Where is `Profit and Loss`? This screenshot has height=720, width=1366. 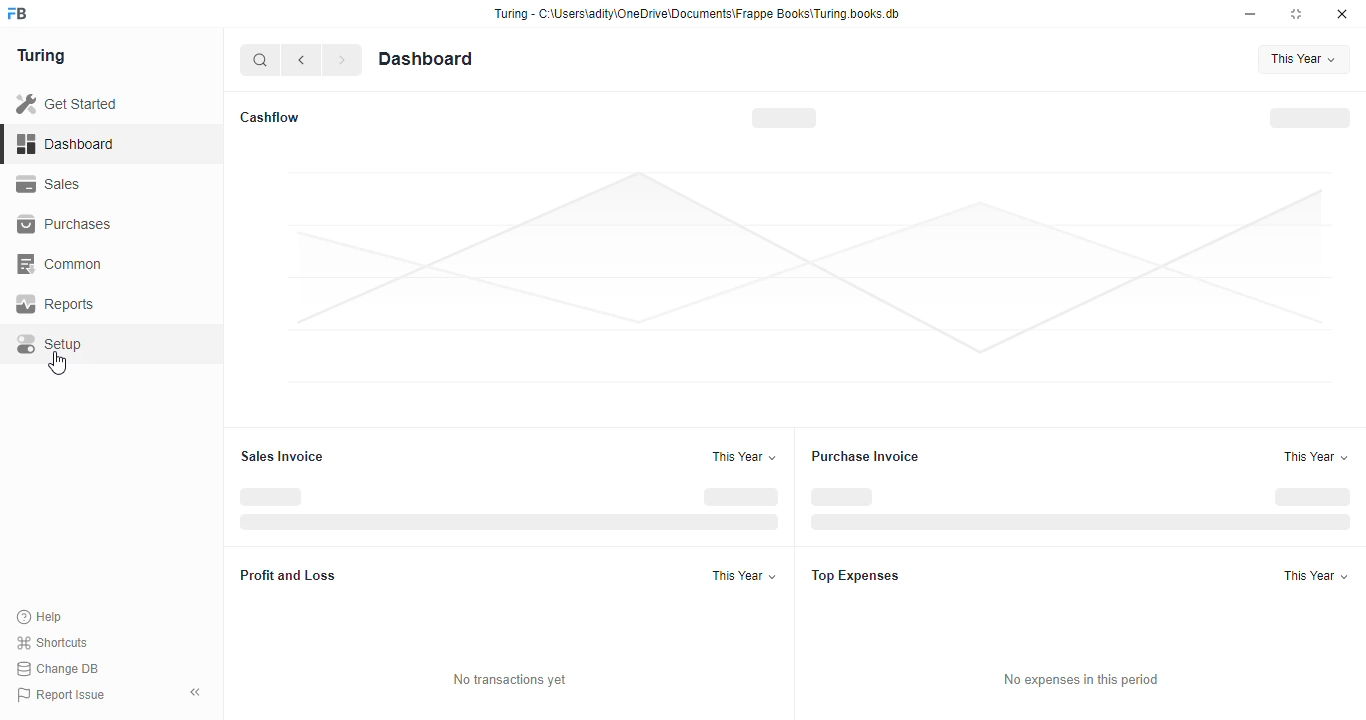 Profit and Loss is located at coordinates (296, 576).